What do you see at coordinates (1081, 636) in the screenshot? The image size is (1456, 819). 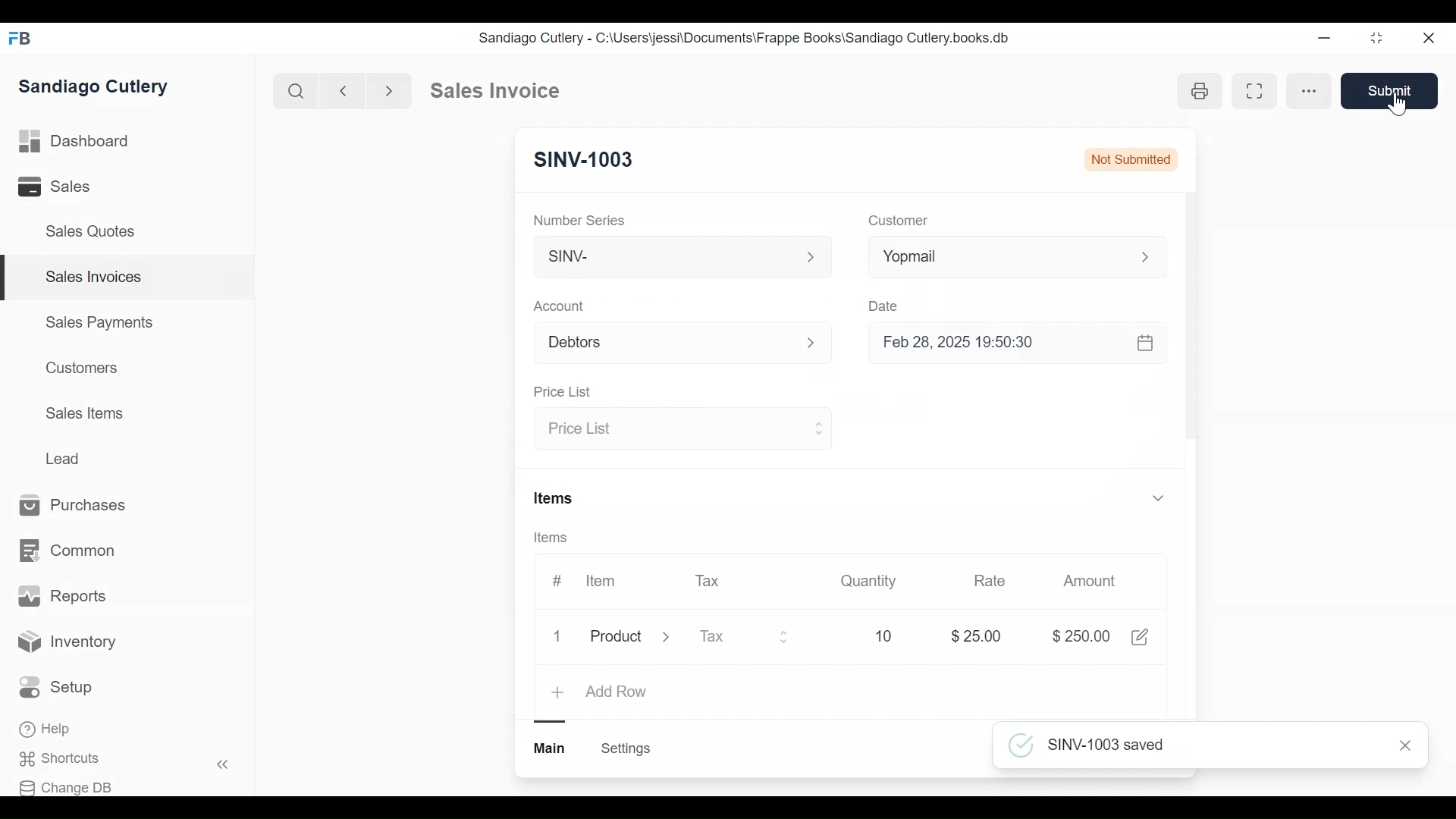 I see `$25.00` at bounding box center [1081, 636].